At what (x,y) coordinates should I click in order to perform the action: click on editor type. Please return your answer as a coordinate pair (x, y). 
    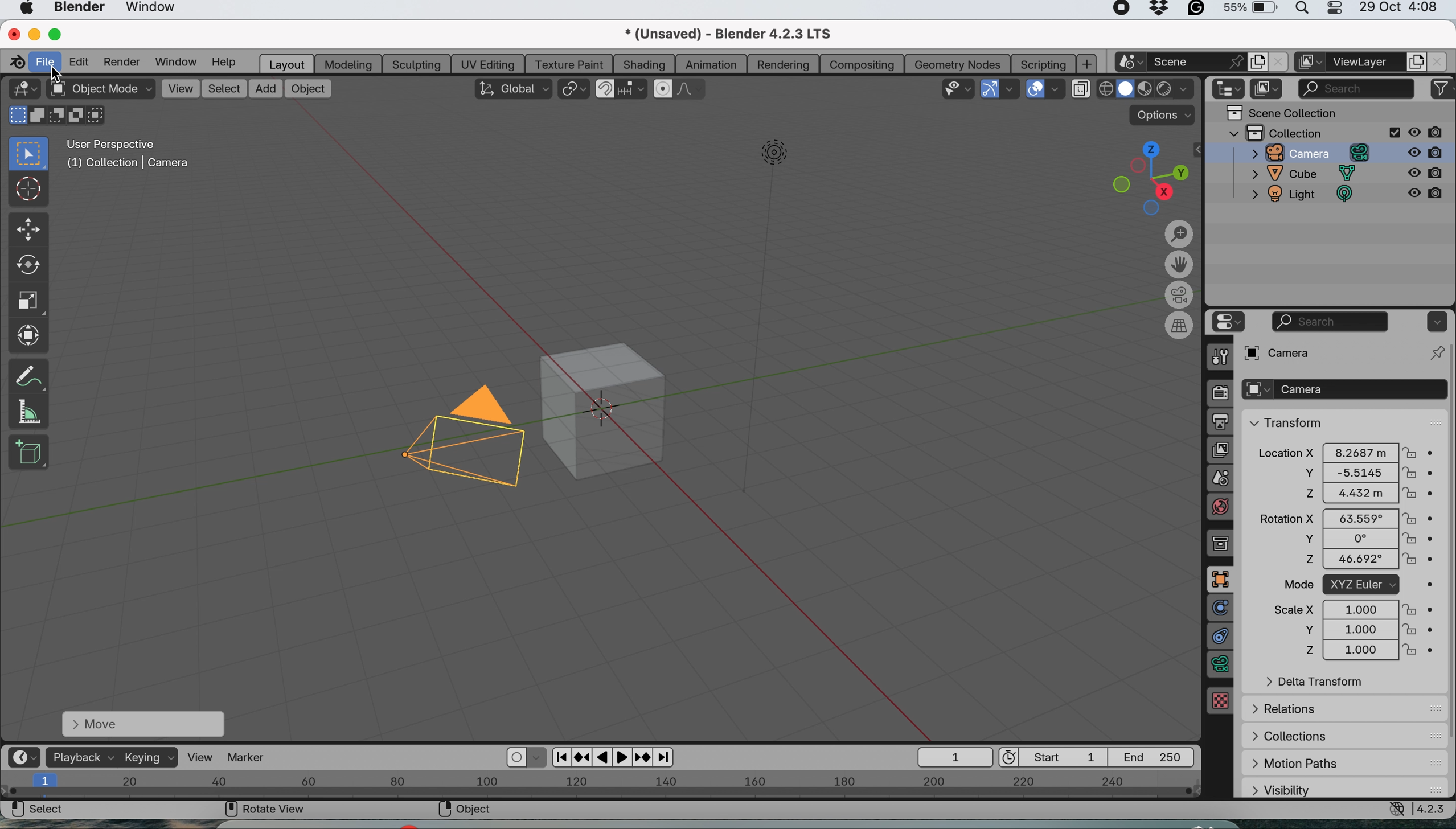
    Looking at the image, I should click on (23, 88).